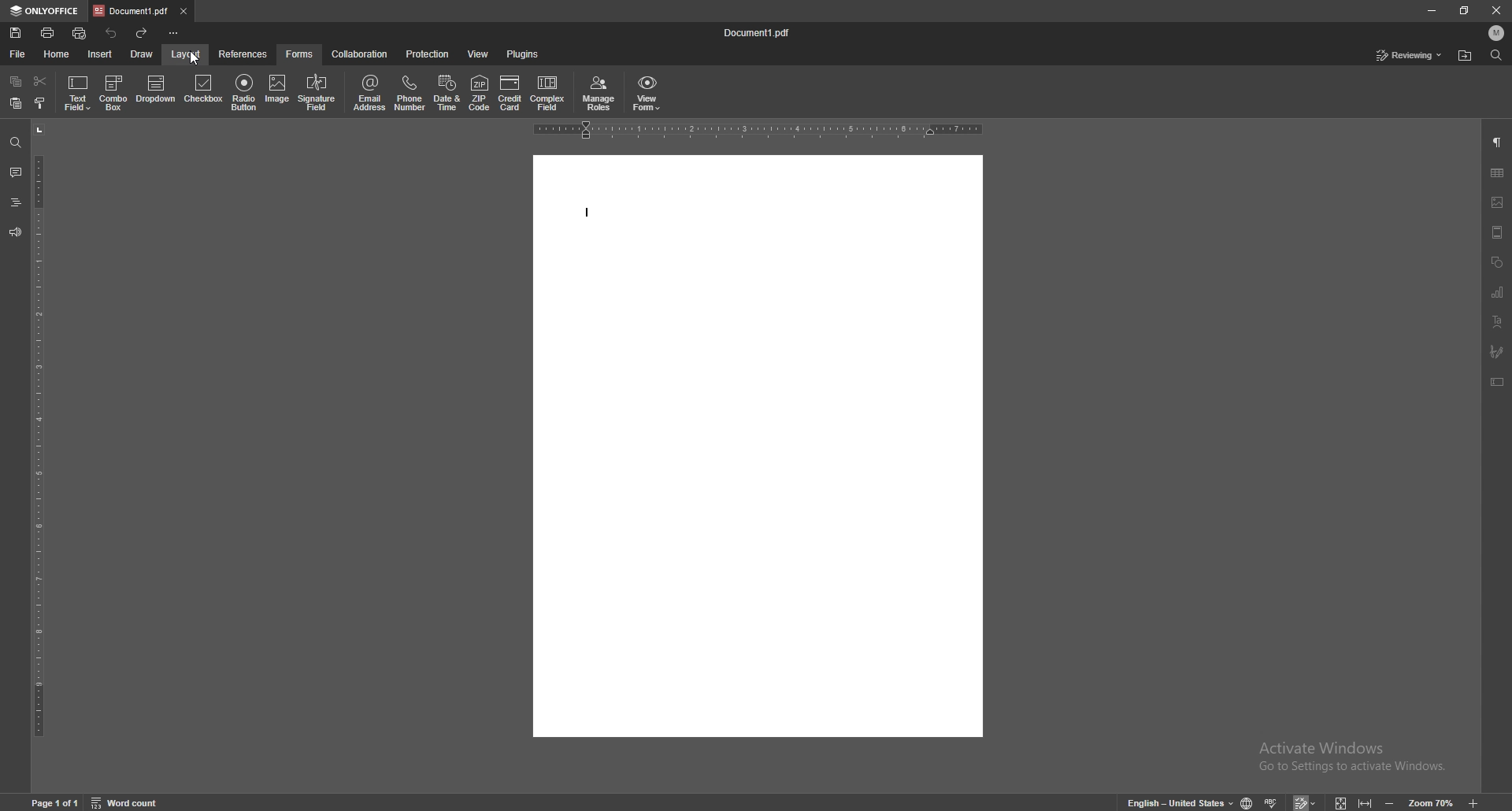  What do you see at coordinates (58, 54) in the screenshot?
I see `home` at bounding box center [58, 54].